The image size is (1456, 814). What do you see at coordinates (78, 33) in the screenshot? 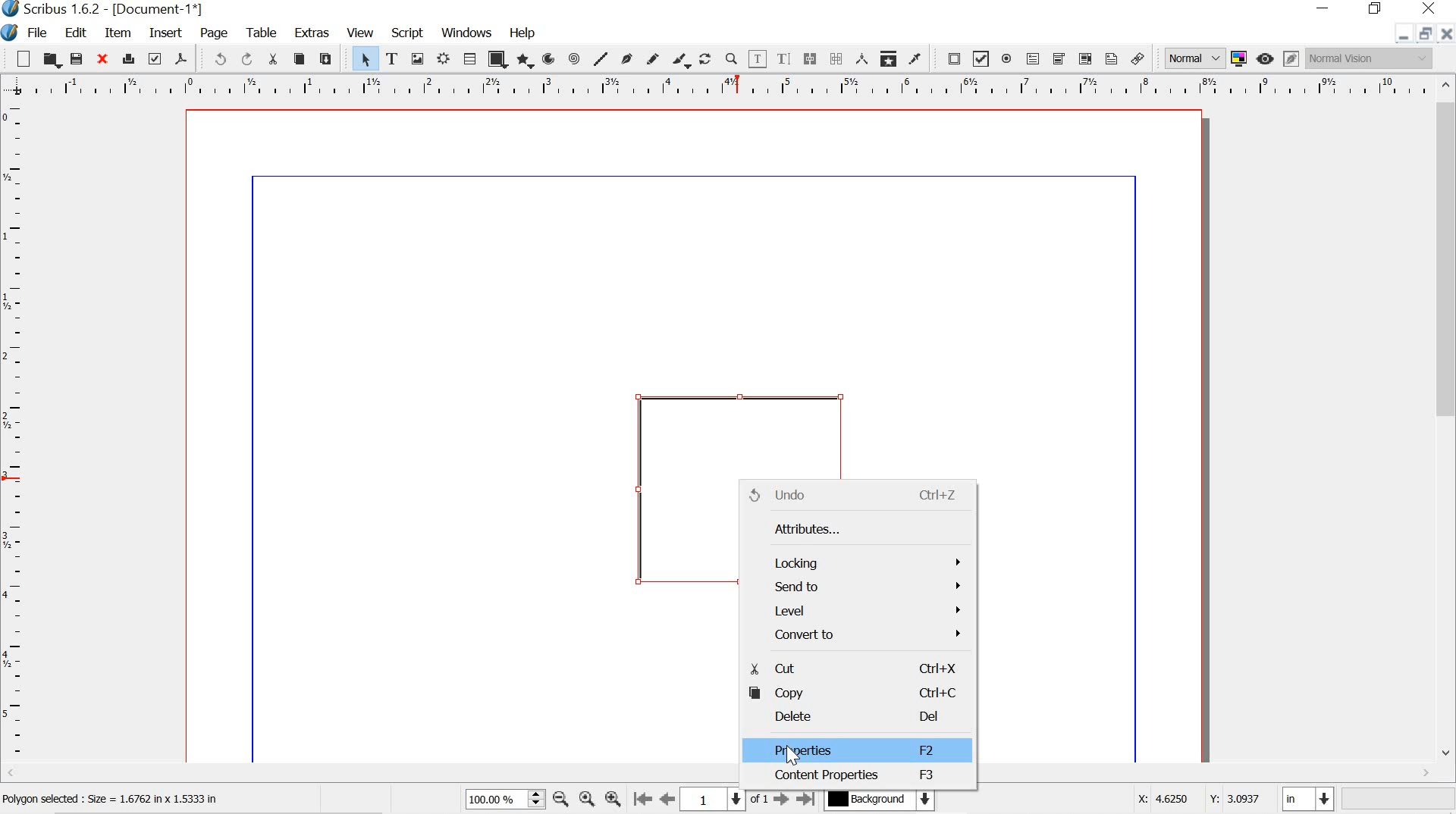
I see `EDIT` at bounding box center [78, 33].